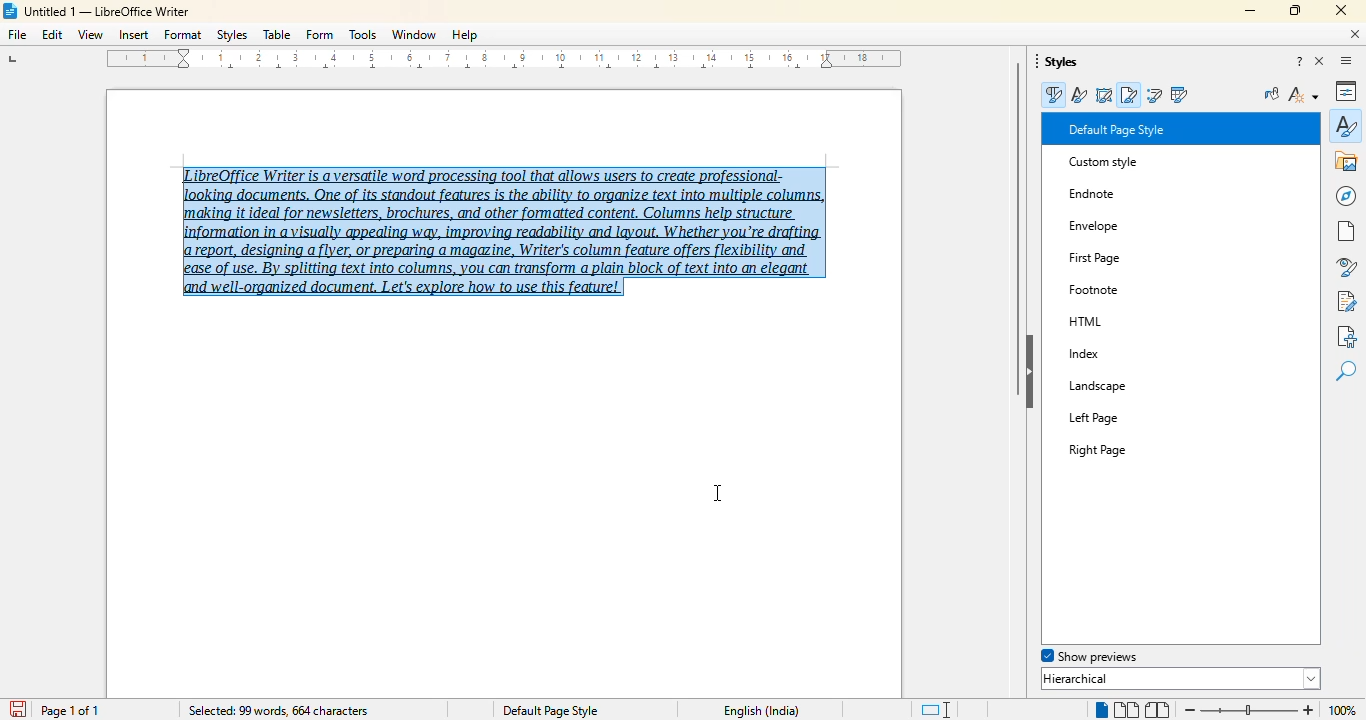  I want to click on English (India), so click(762, 711).